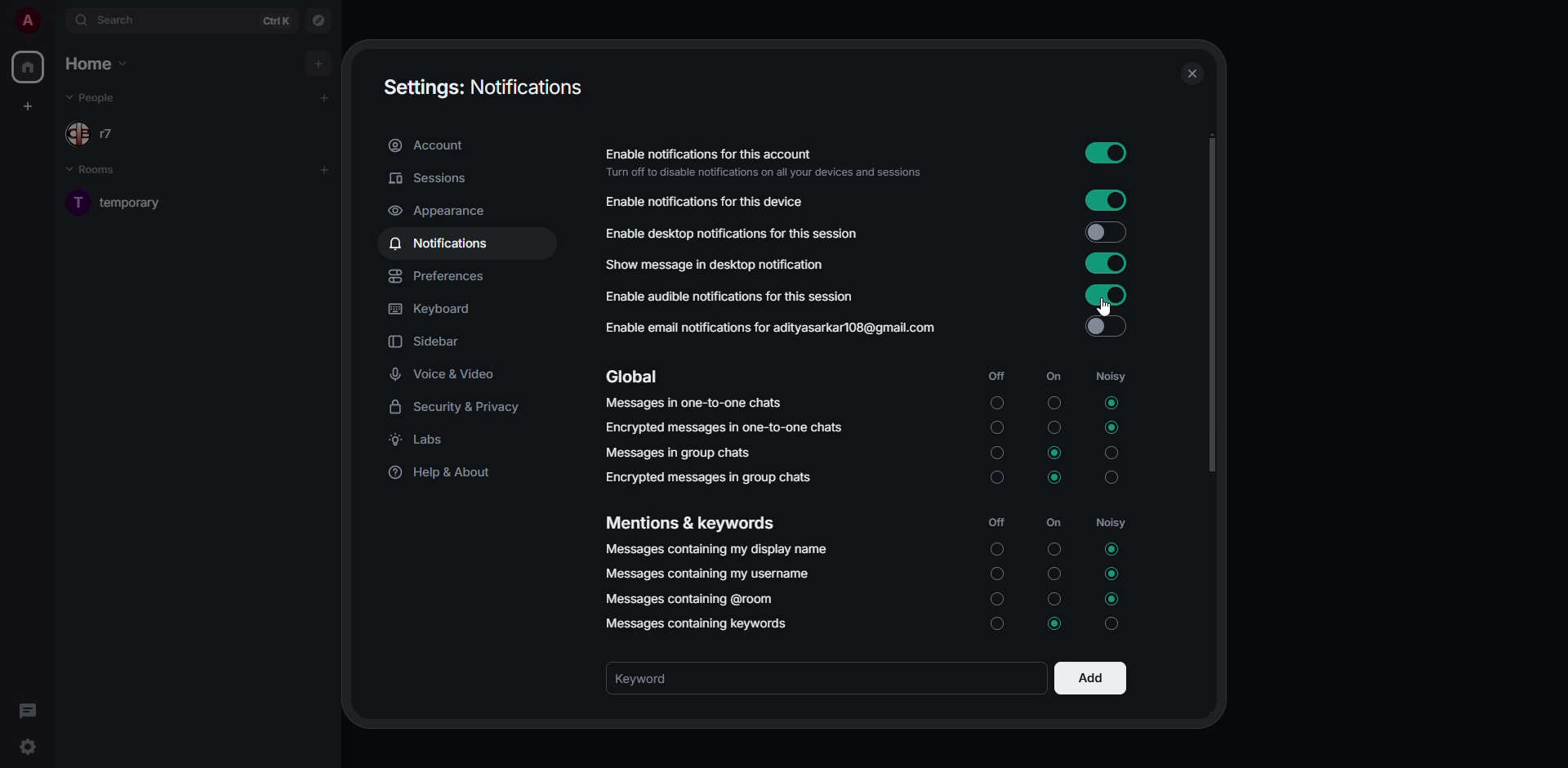  I want to click on Off Unselected, so click(996, 478).